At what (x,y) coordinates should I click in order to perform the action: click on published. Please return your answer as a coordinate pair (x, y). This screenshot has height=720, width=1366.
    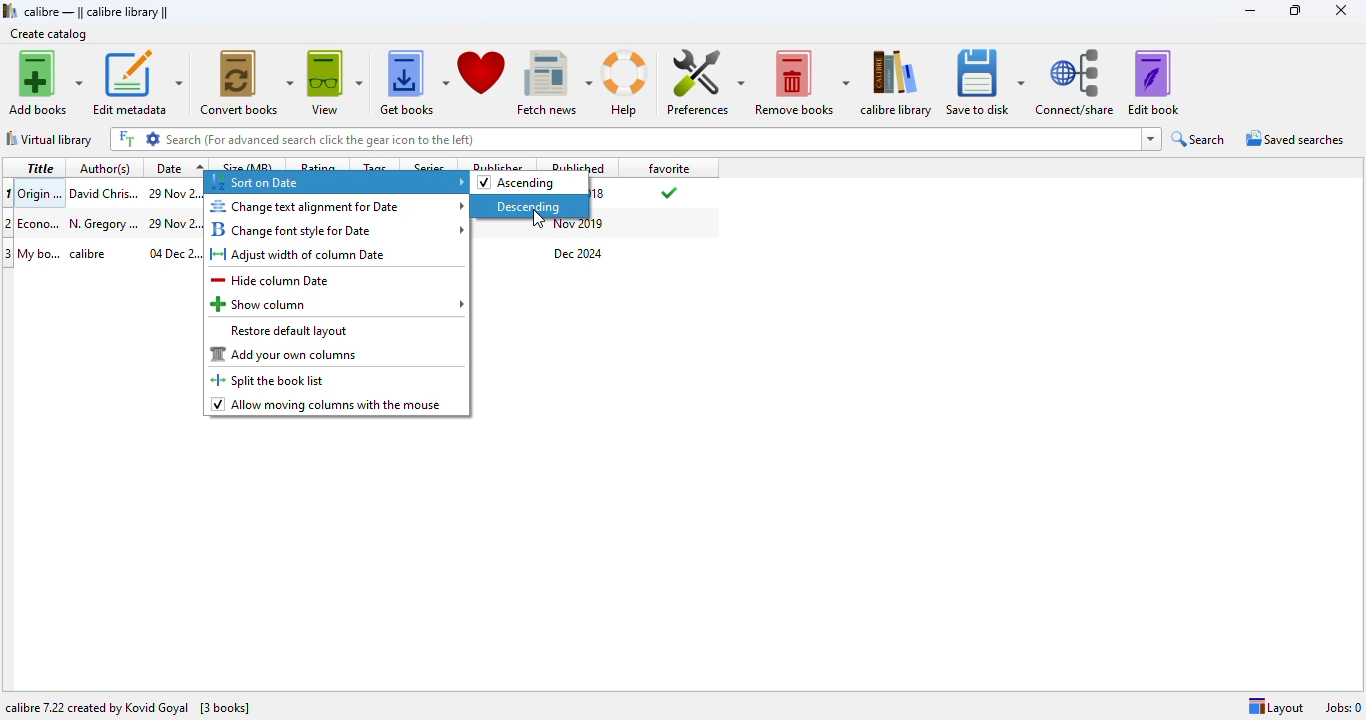
    Looking at the image, I should click on (581, 165).